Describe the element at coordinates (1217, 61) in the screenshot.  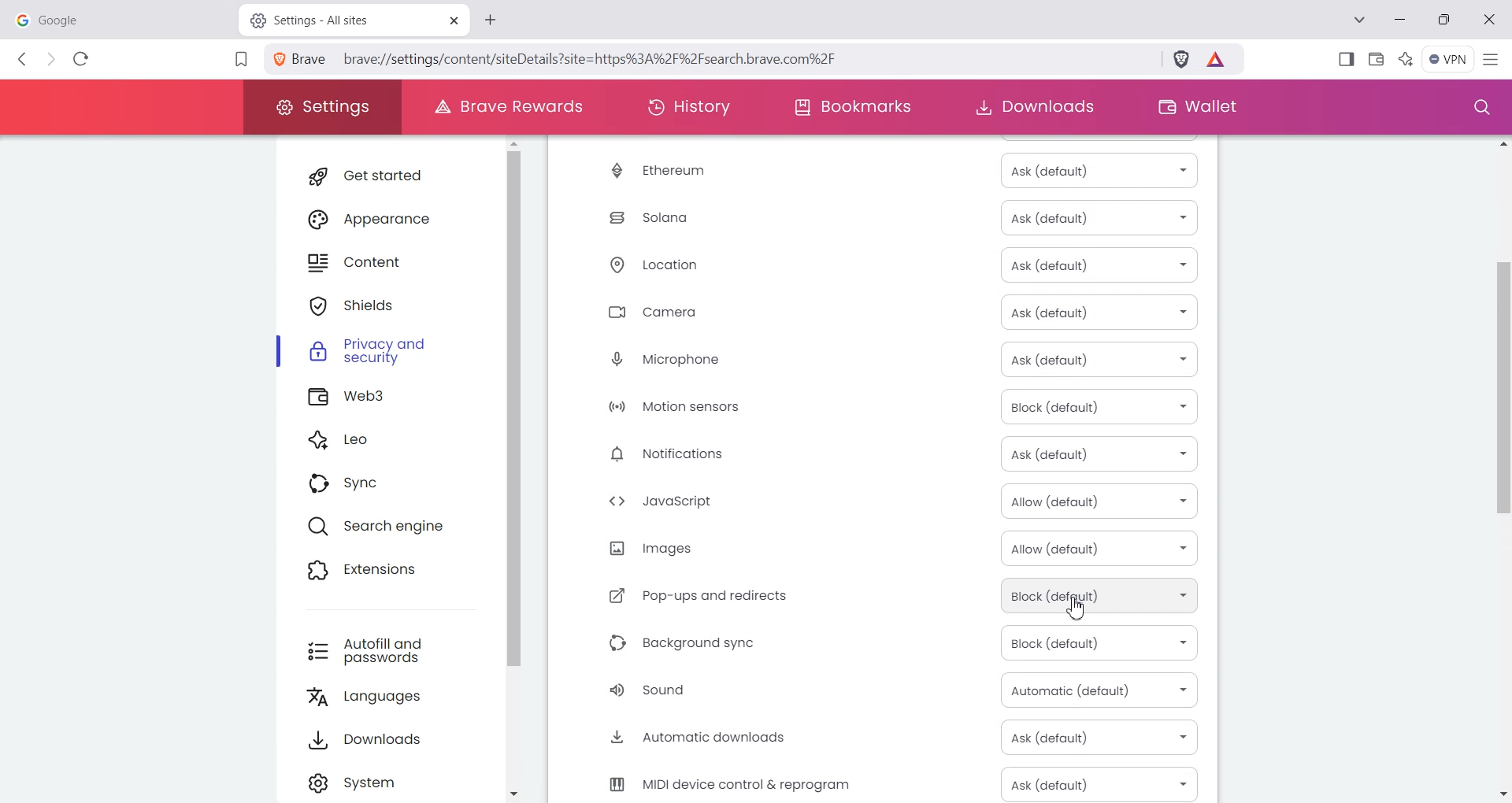
I see `Brave Reward` at that location.